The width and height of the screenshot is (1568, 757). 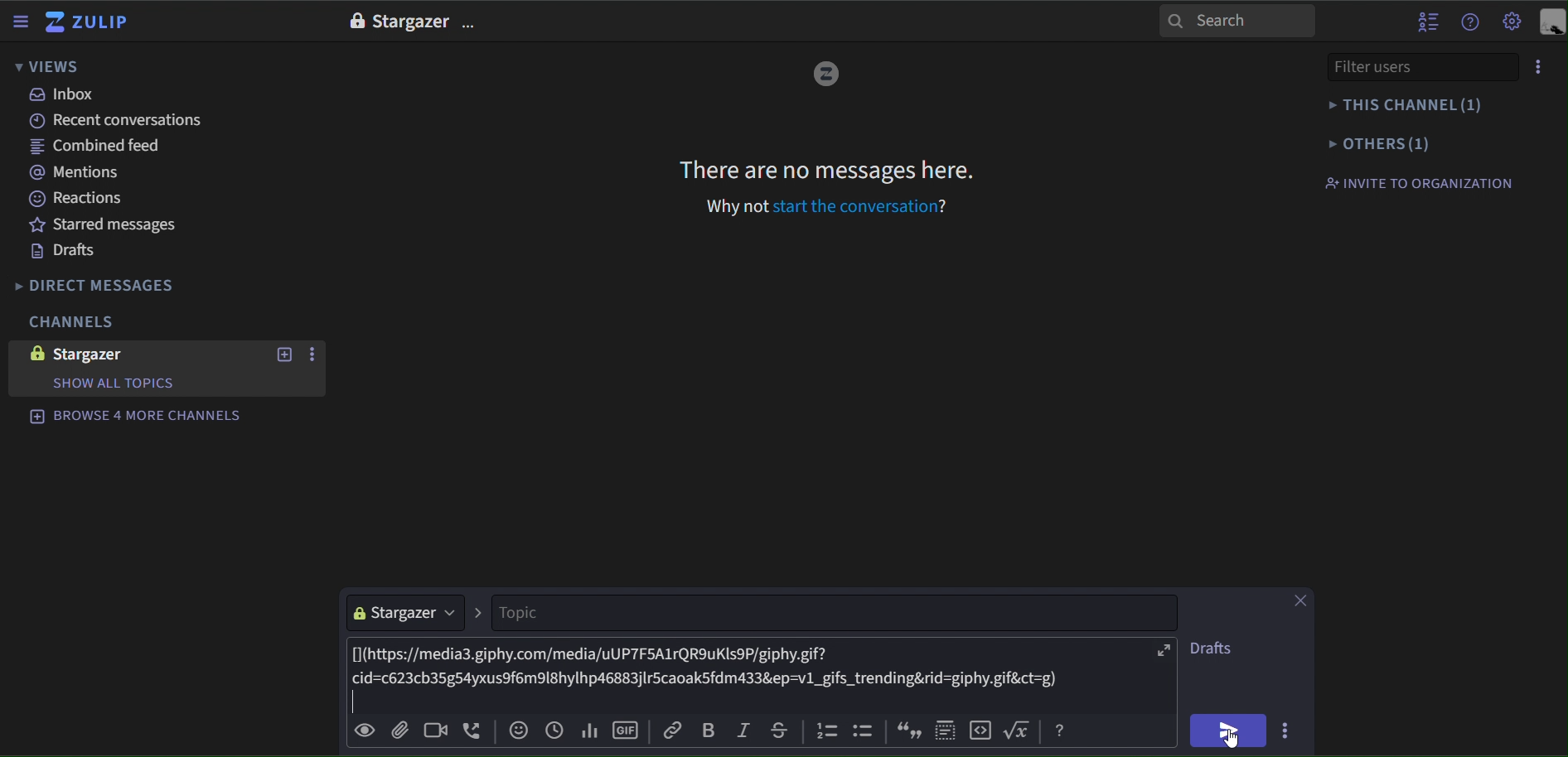 What do you see at coordinates (1299, 601) in the screenshot?
I see `close` at bounding box center [1299, 601].